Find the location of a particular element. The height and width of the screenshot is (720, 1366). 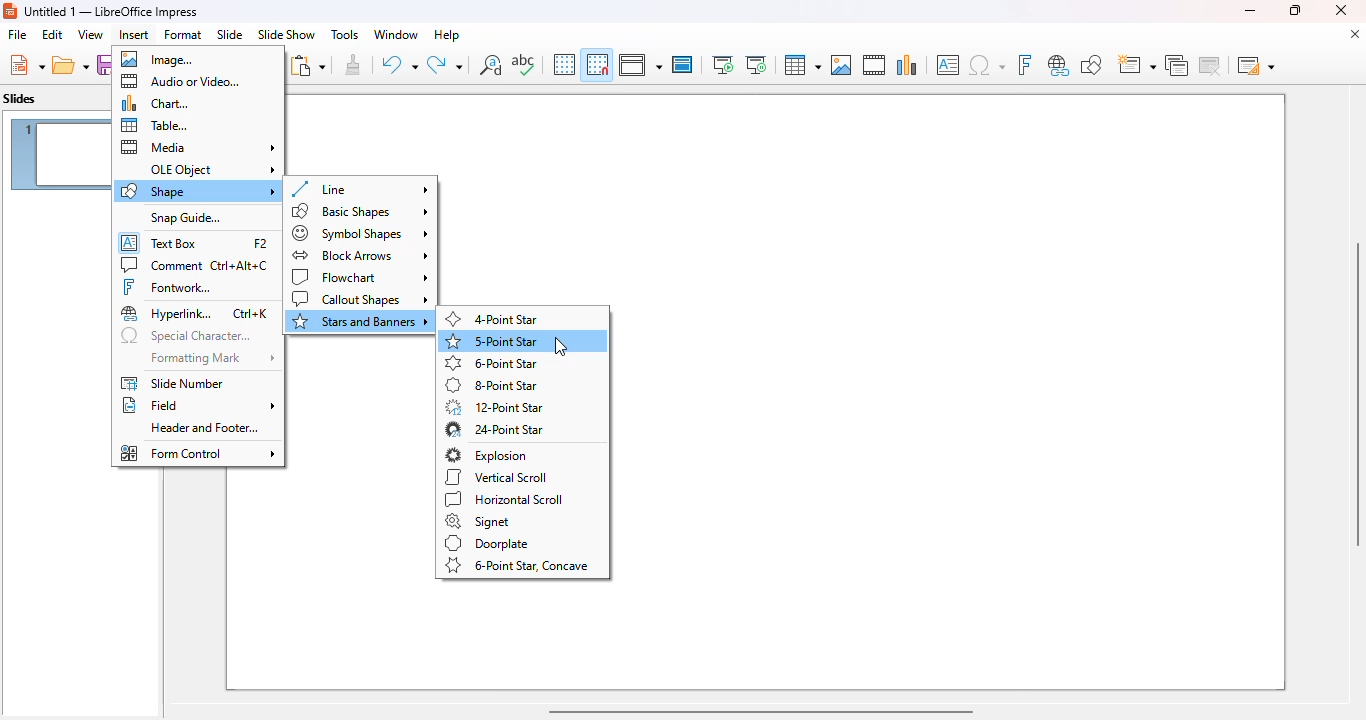

slide show is located at coordinates (286, 35).